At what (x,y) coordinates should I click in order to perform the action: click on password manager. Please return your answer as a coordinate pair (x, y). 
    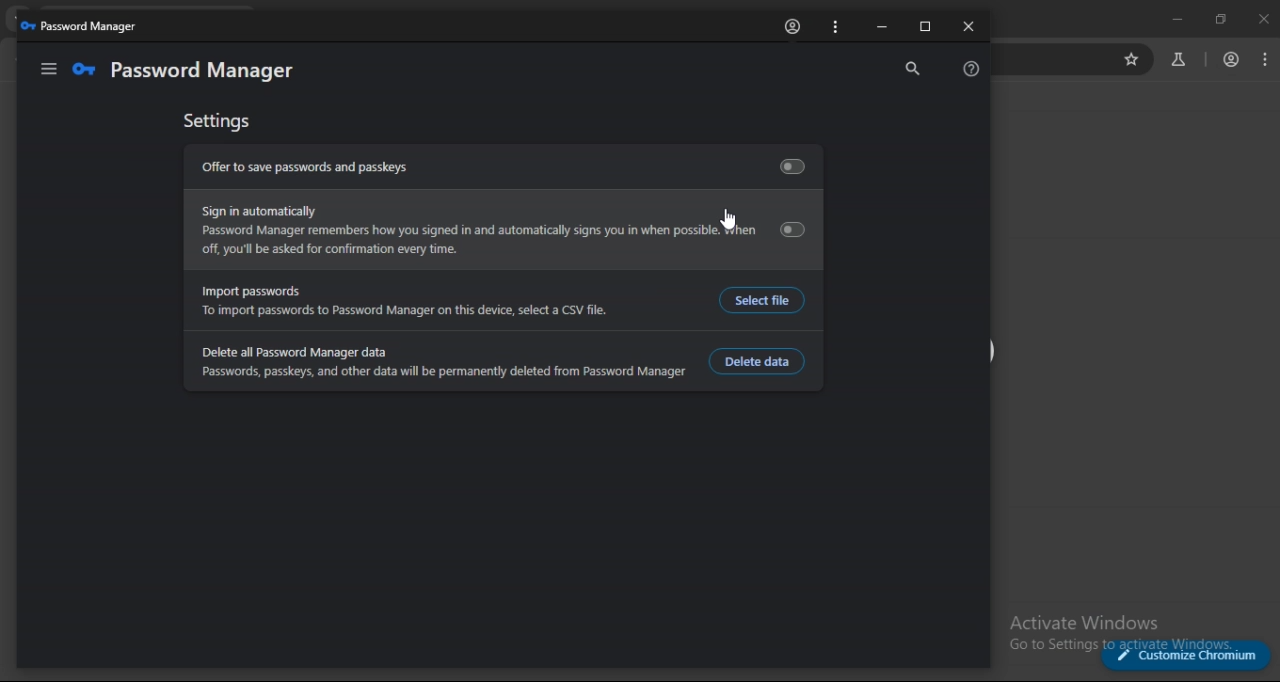
    Looking at the image, I should click on (80, 26).